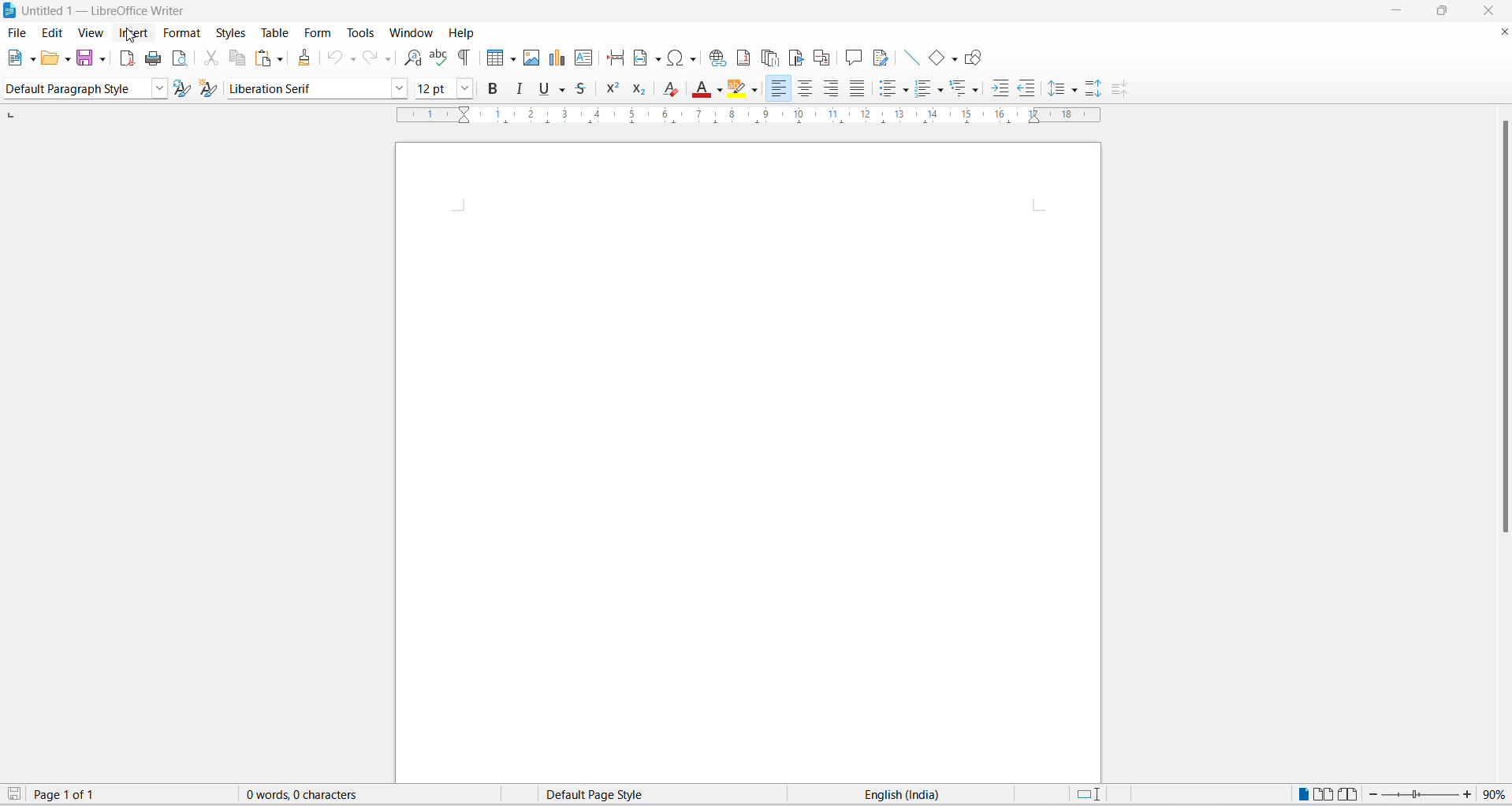 This screenshot has width=1512, height=806. What do you see at coordinates (823, 54) in the screenshot?
I see `insert cross-reference` at bounding box center [823, 54].